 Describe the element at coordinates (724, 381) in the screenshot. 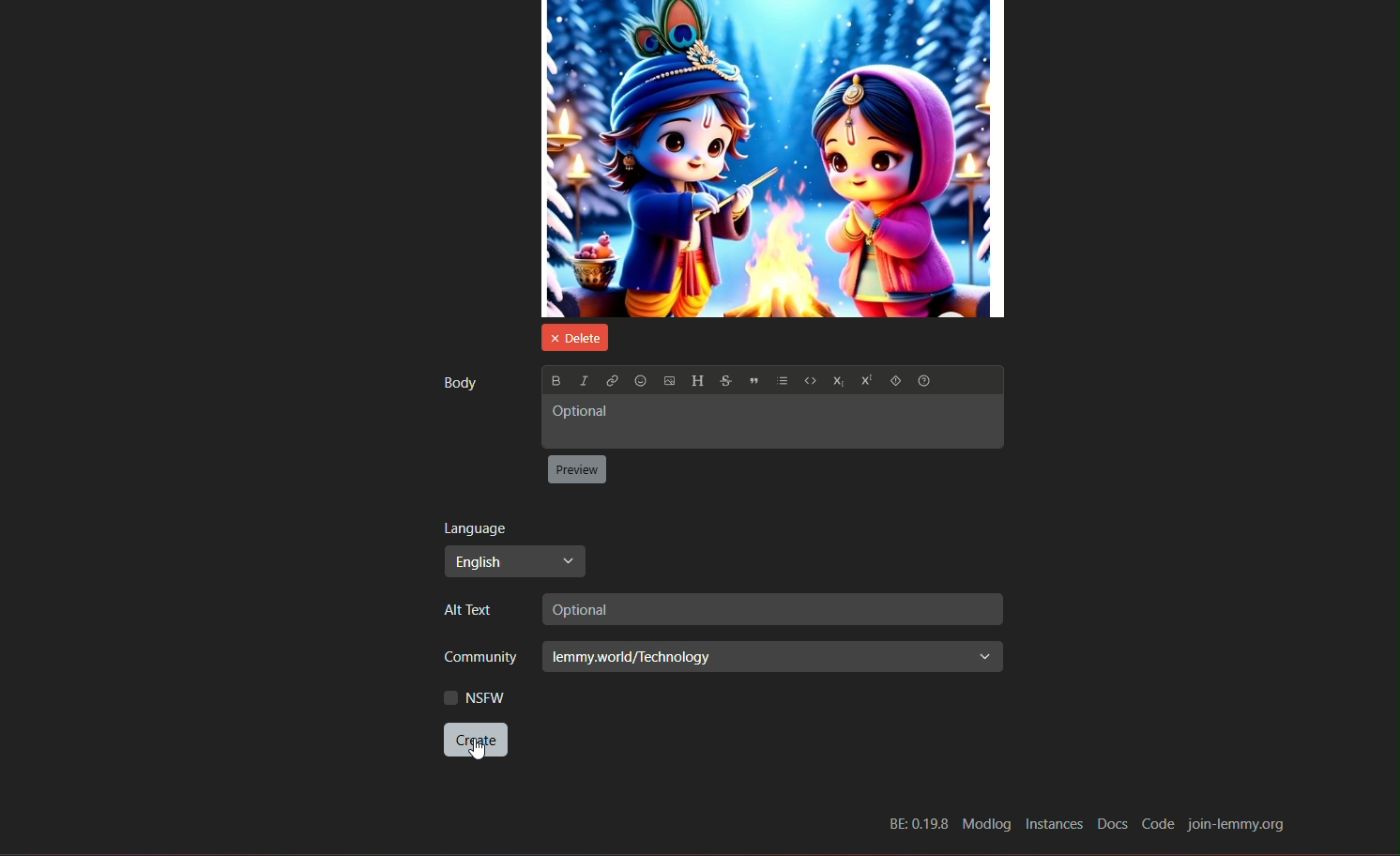

I see `strikethrough` at that location.